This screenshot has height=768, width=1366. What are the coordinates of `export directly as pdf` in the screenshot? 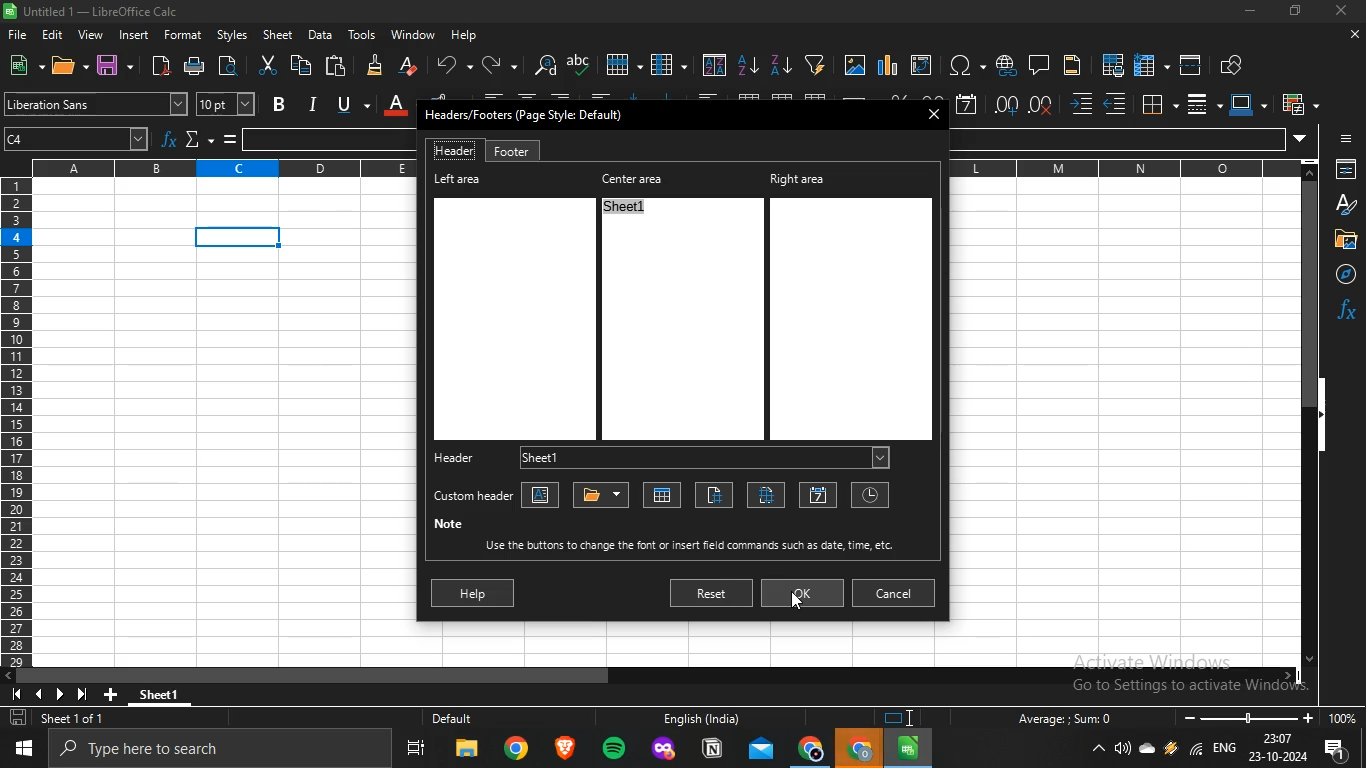 It's located at (158, 65).